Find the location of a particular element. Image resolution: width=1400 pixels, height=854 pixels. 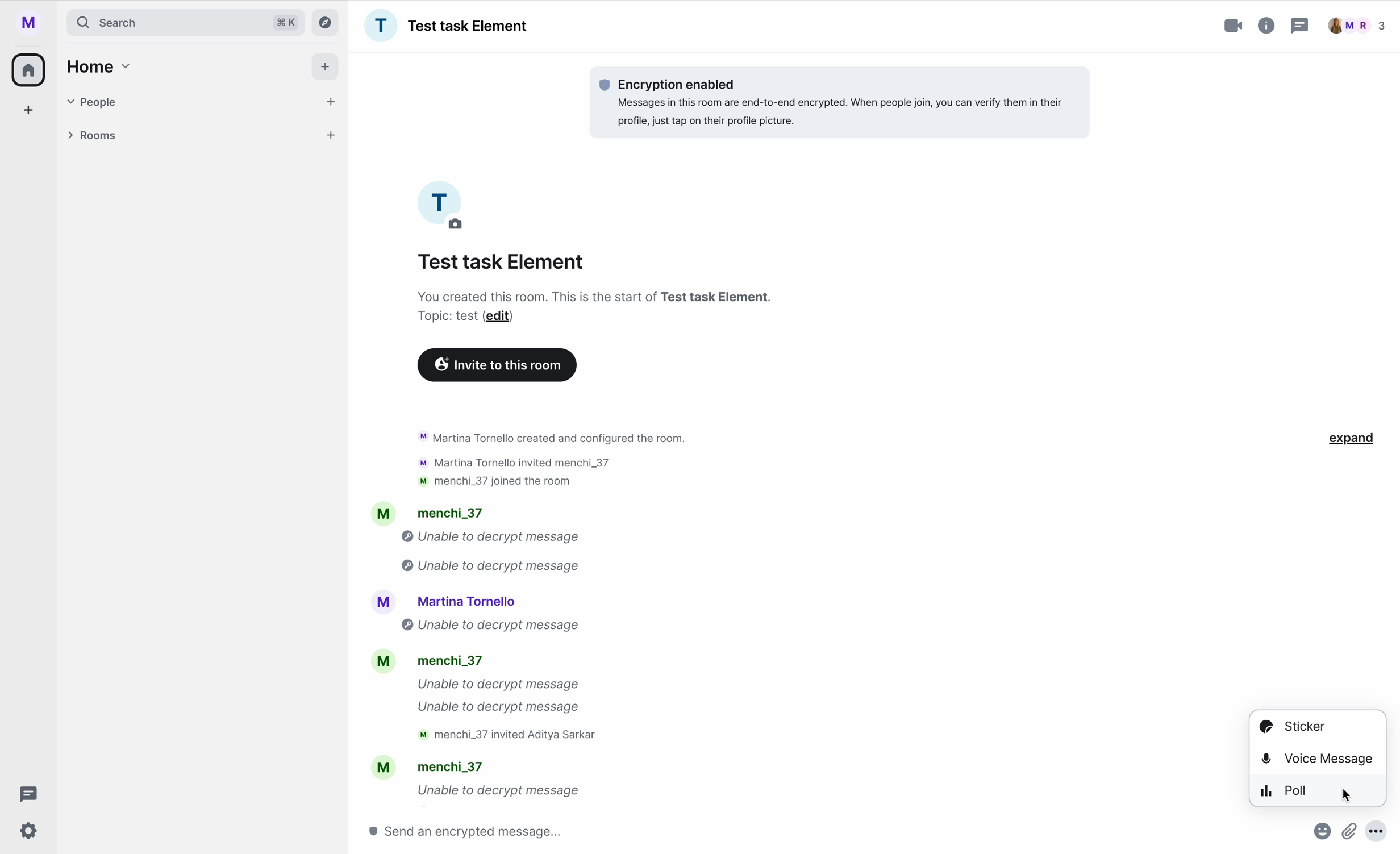

Topic: test (edit) is located at coordinates (464, 318).